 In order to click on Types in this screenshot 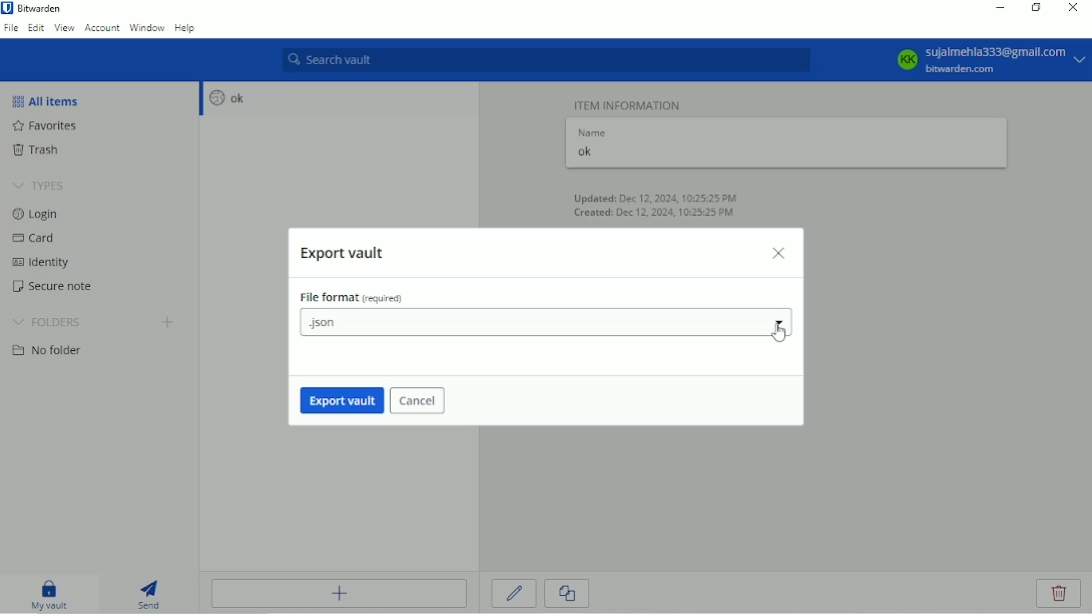, I will do `click(40, 187)`.